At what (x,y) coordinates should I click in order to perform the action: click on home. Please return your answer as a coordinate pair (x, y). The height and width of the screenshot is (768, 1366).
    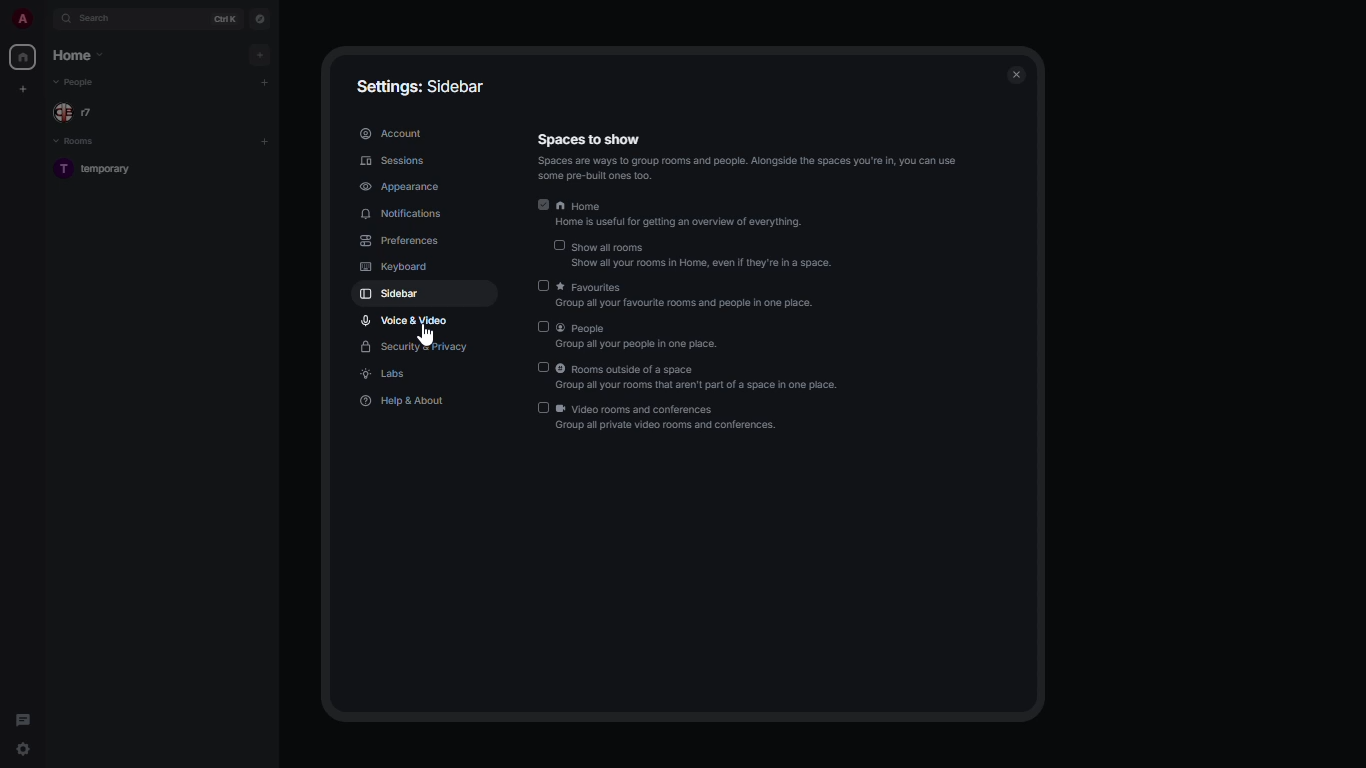
    Looking at the image, I should click on (24, 56).